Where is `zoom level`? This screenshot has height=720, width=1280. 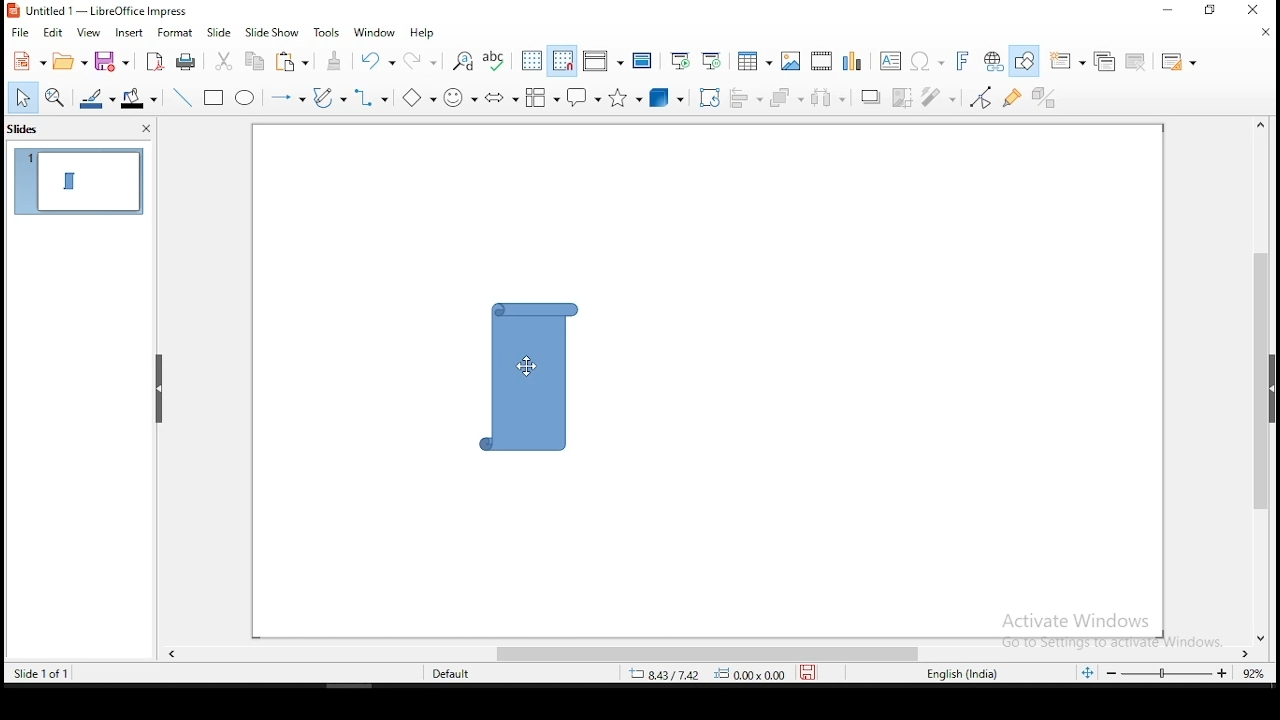
zoom level is located at coordinates (1251, 672).